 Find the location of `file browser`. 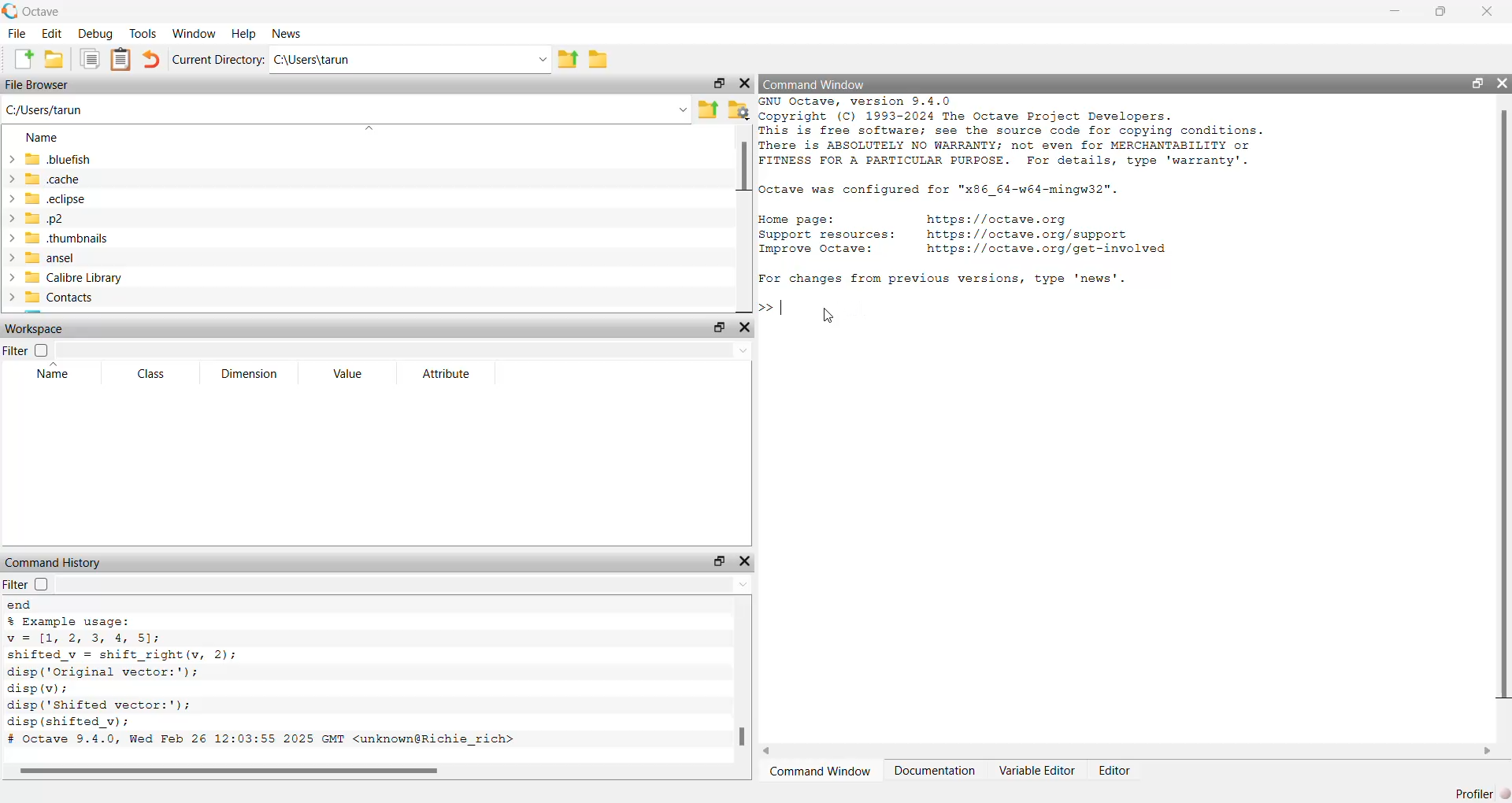

file browser is located at coordinates (46, 86).